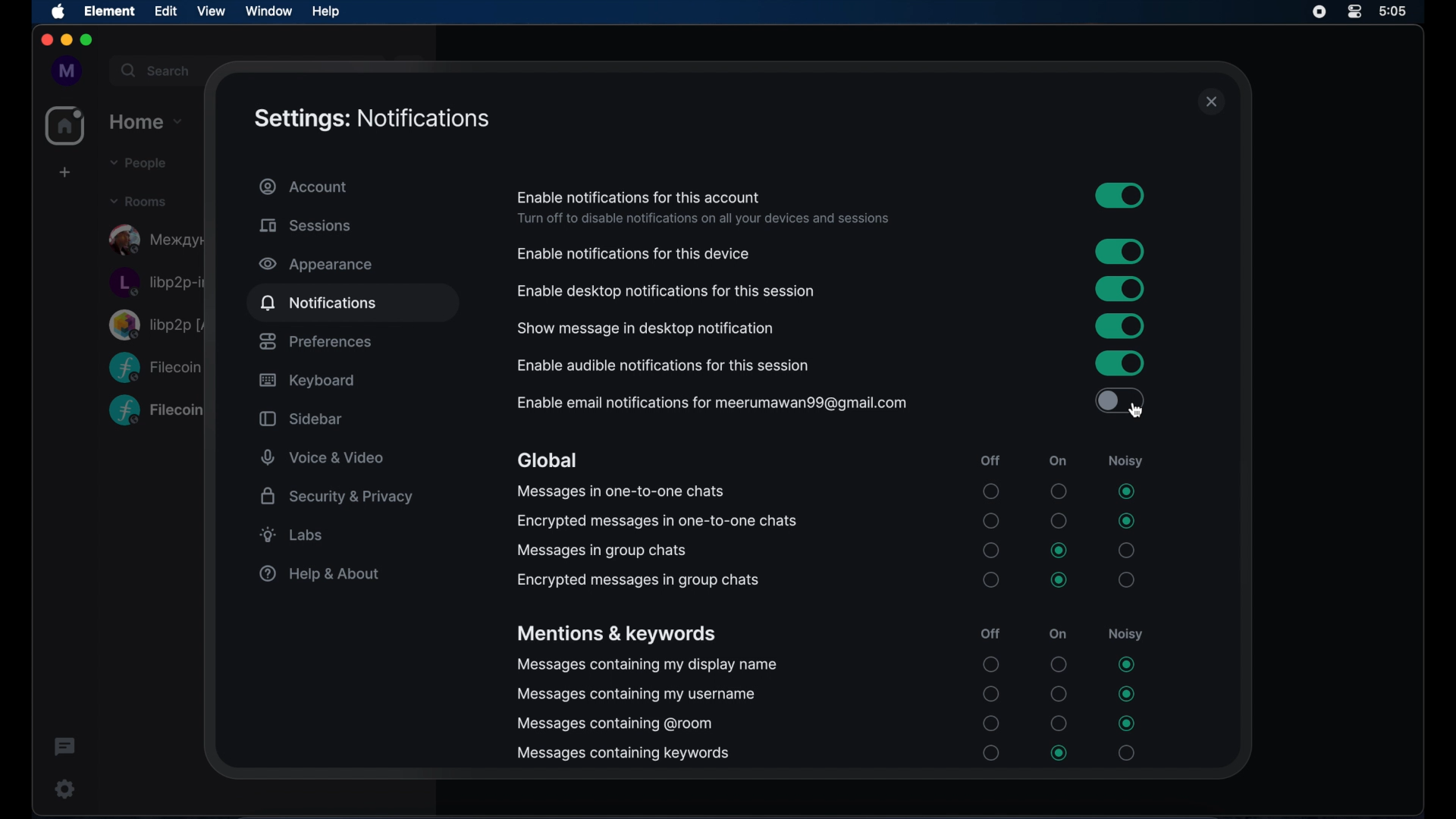 This screenshot has width=1456, height=819. Describe the element at coordinates (306, 381) in the screenshot. I see `keyboard` at that location.